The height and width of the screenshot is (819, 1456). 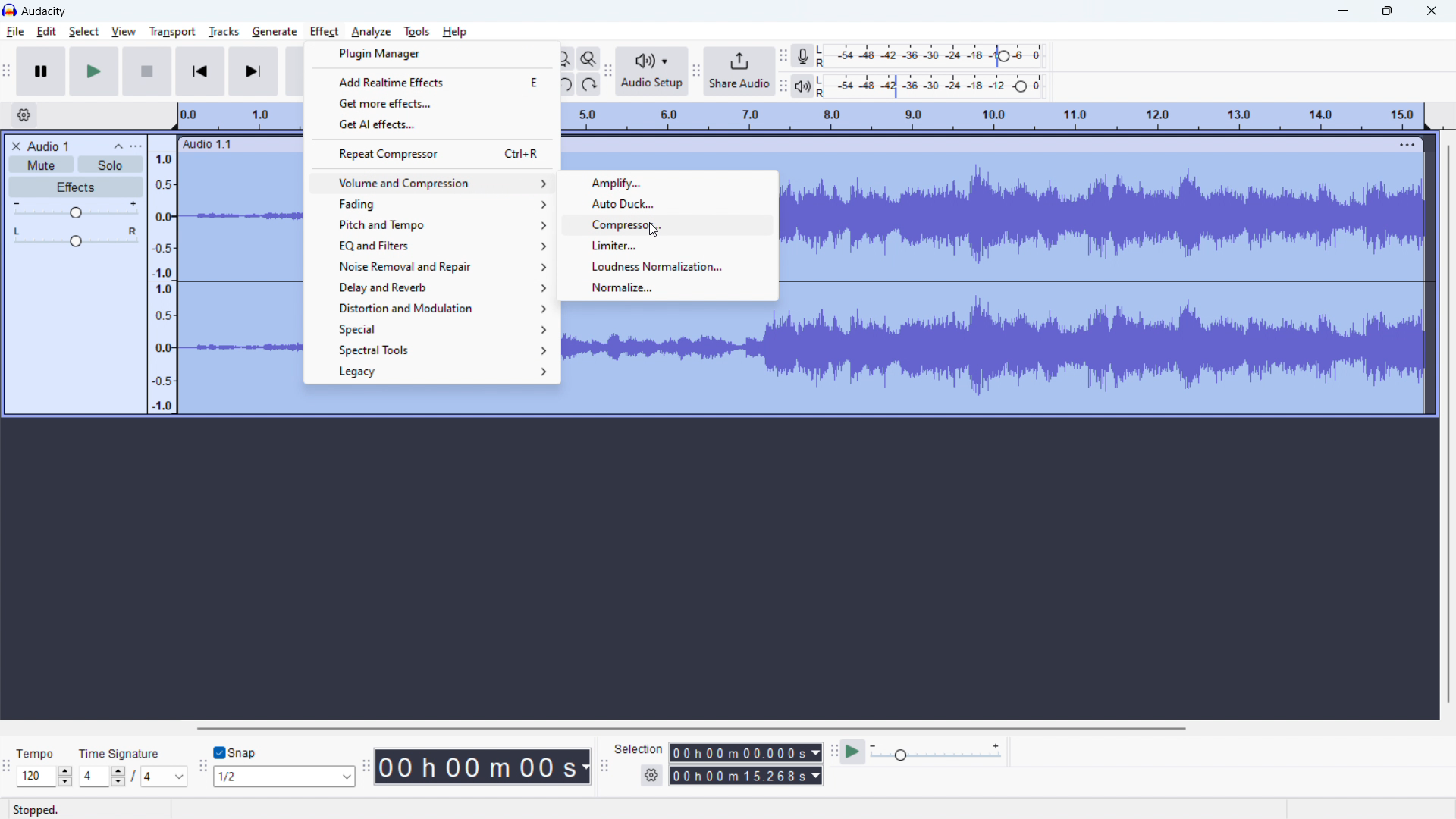 I want to click on normalize, so click(x=667, y=287).